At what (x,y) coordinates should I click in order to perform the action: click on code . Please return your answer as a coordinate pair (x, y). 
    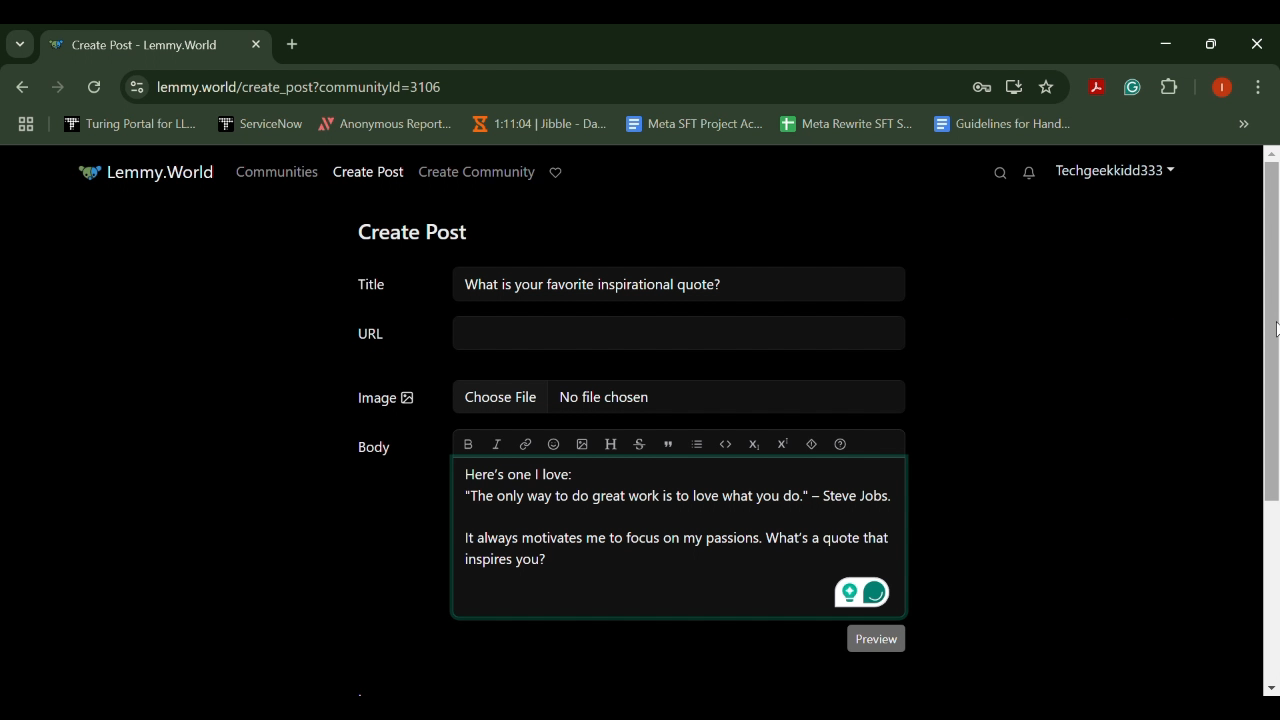
    Looking at the image, I should click on (726, 442).